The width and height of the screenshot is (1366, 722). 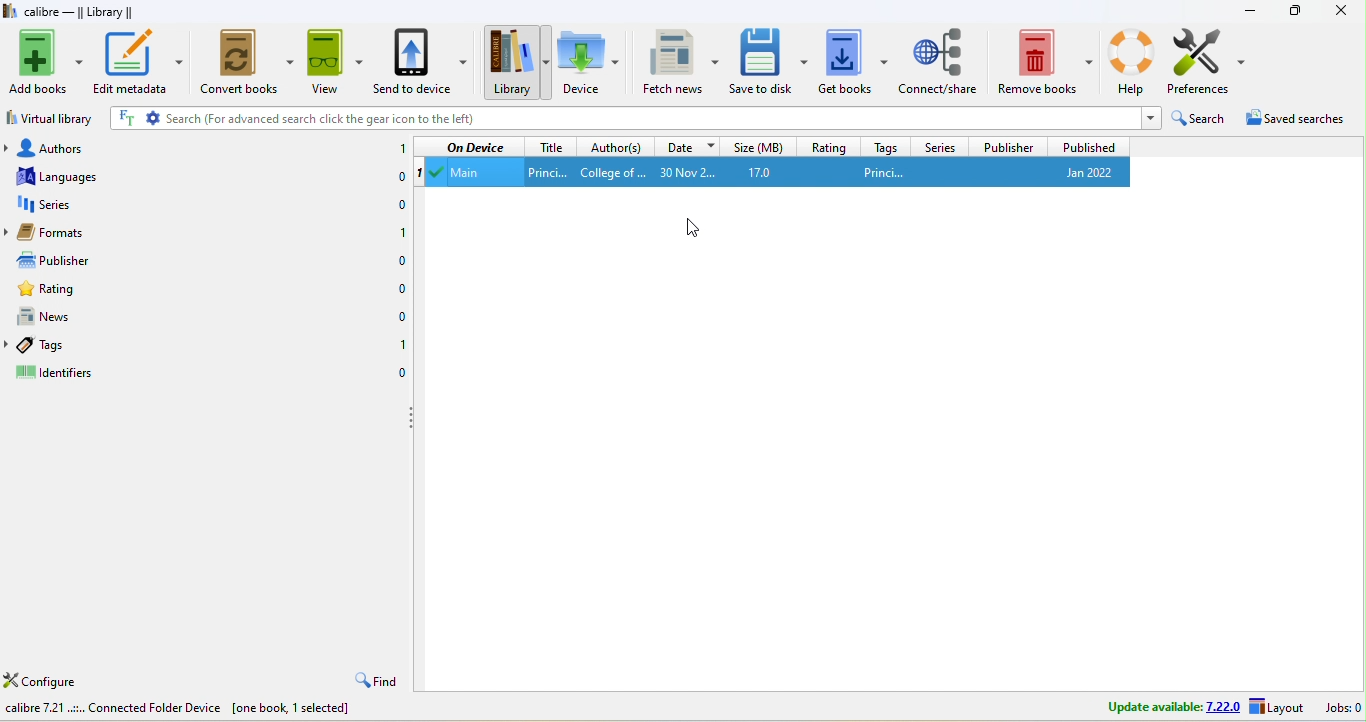 I want to click on update avalable 7.22.0, so click(x=1160, y=706).